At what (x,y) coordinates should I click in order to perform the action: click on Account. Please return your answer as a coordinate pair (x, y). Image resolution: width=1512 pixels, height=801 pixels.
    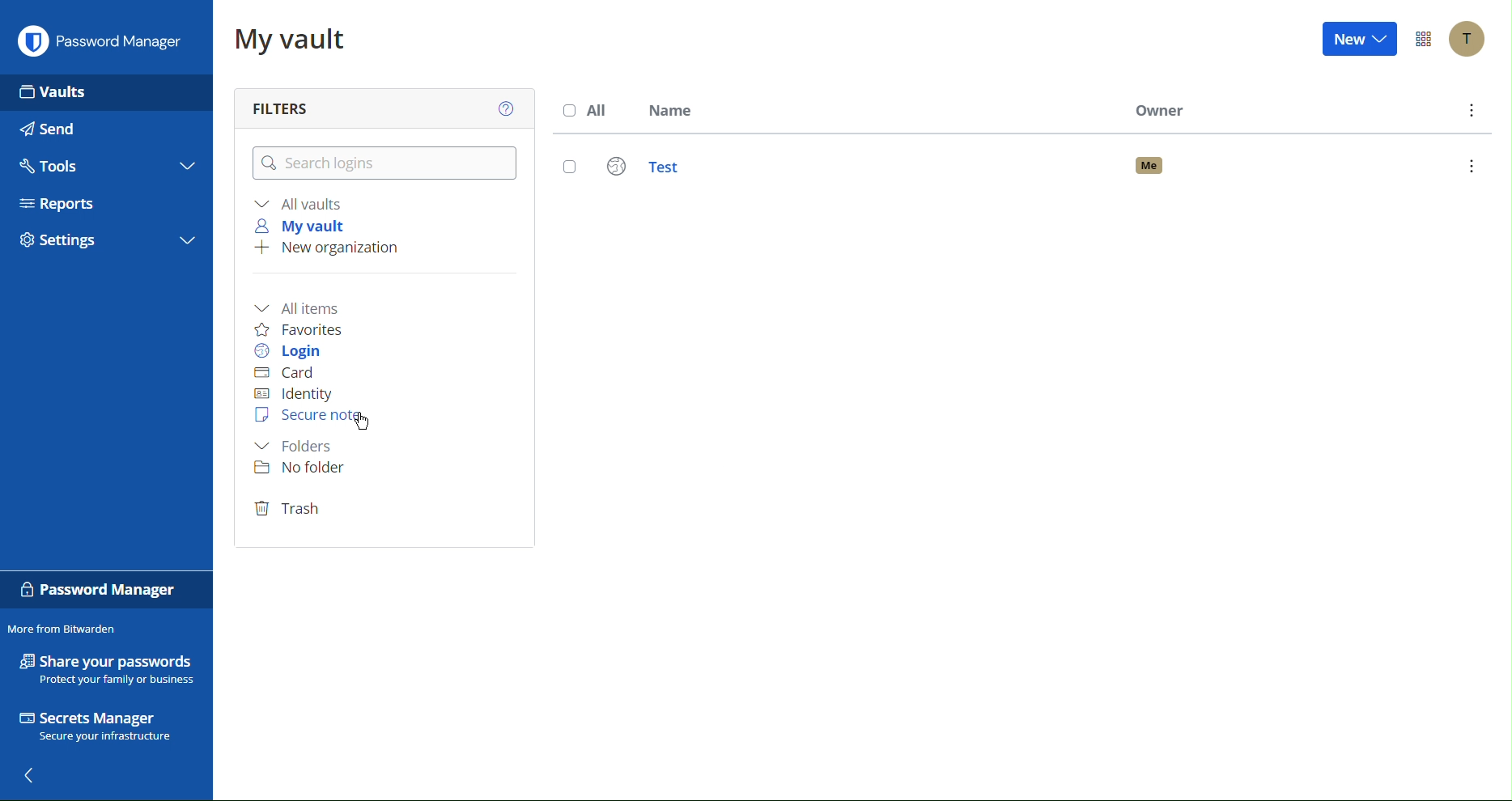
    Looking at the image, I should click on (1466, 39).